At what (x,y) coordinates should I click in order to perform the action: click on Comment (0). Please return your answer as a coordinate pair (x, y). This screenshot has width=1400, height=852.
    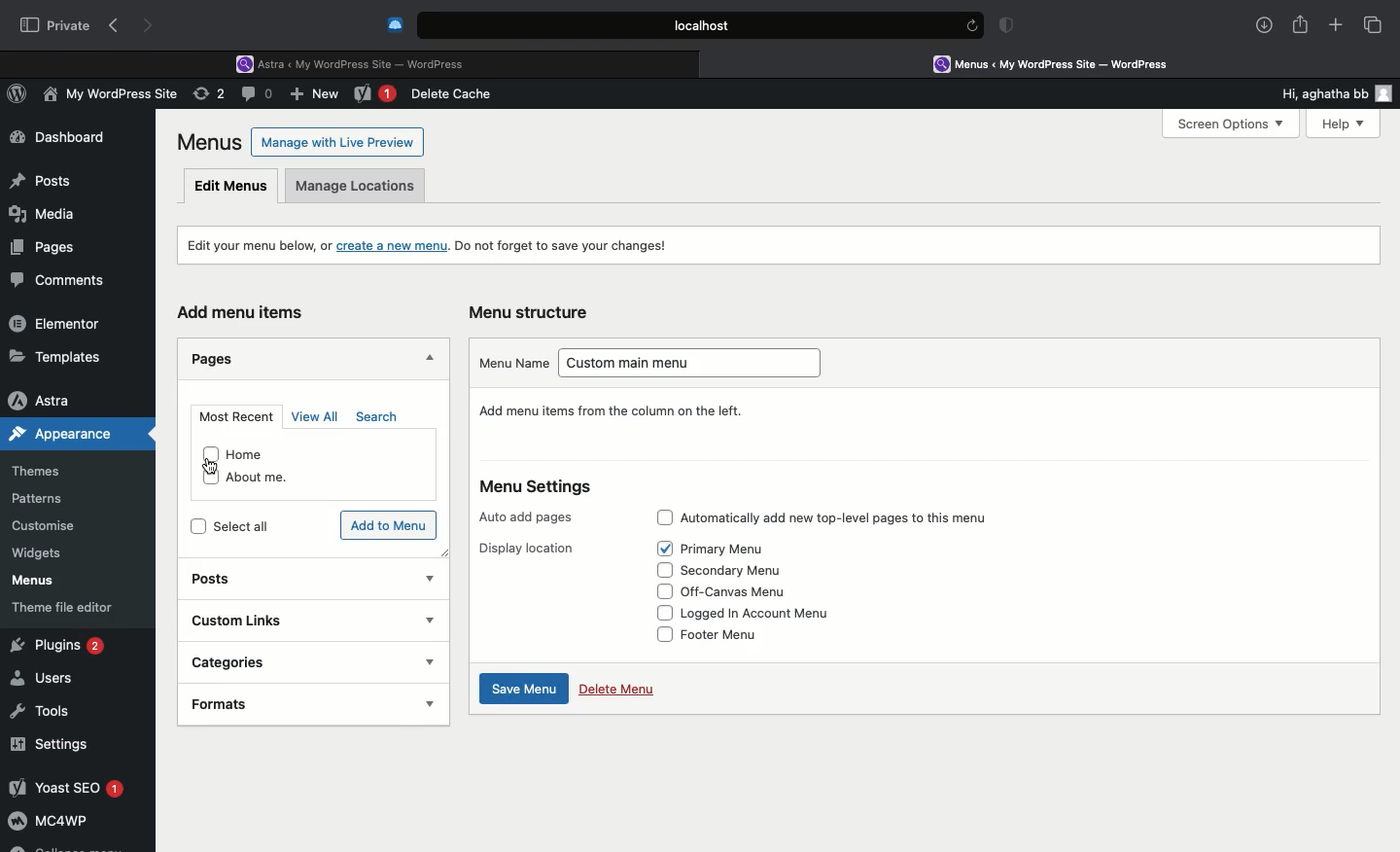
    Looking at the image, I should click on (260, 93).